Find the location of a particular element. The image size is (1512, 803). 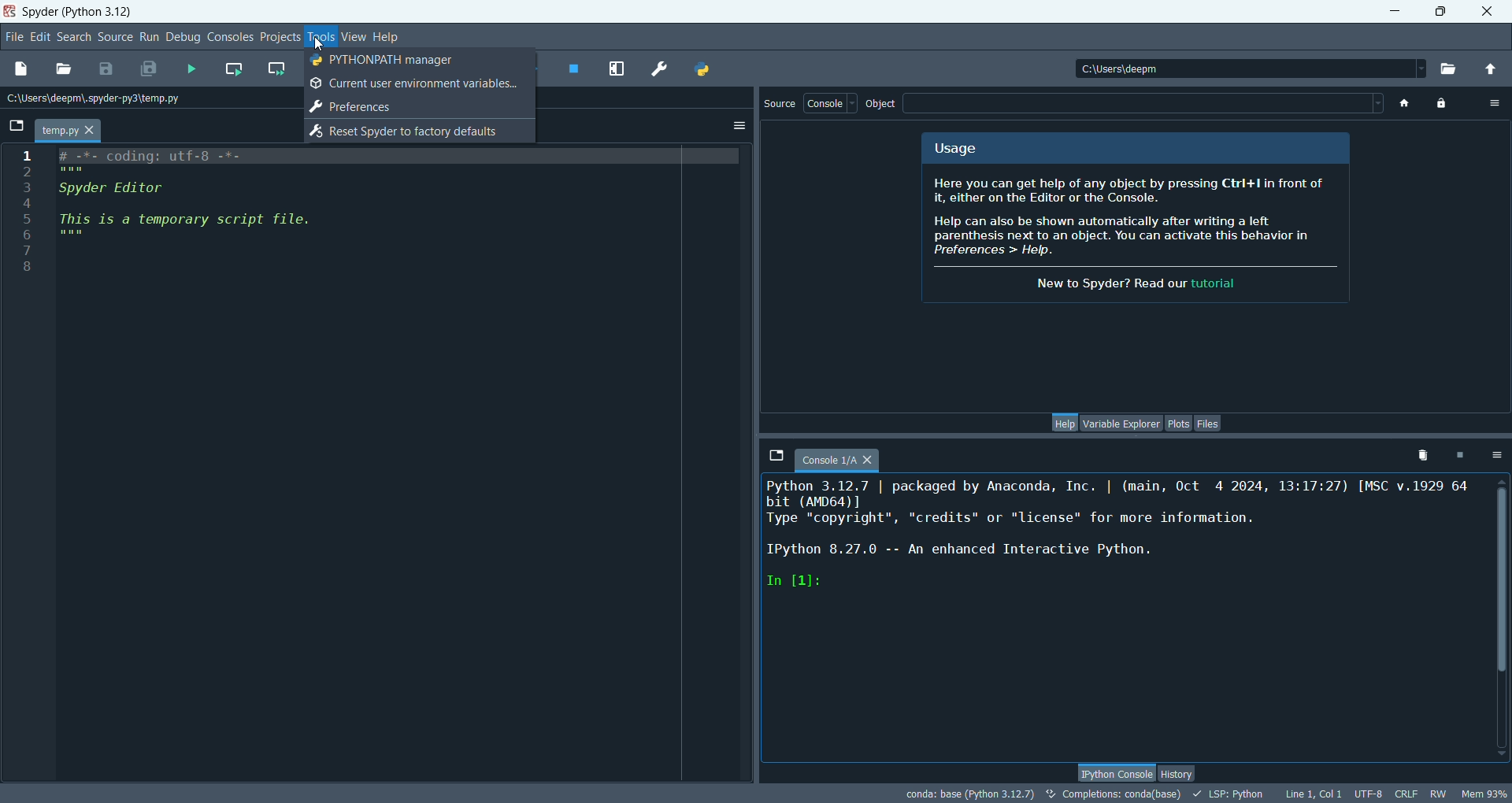

script file is located at coordinates (205, 203).